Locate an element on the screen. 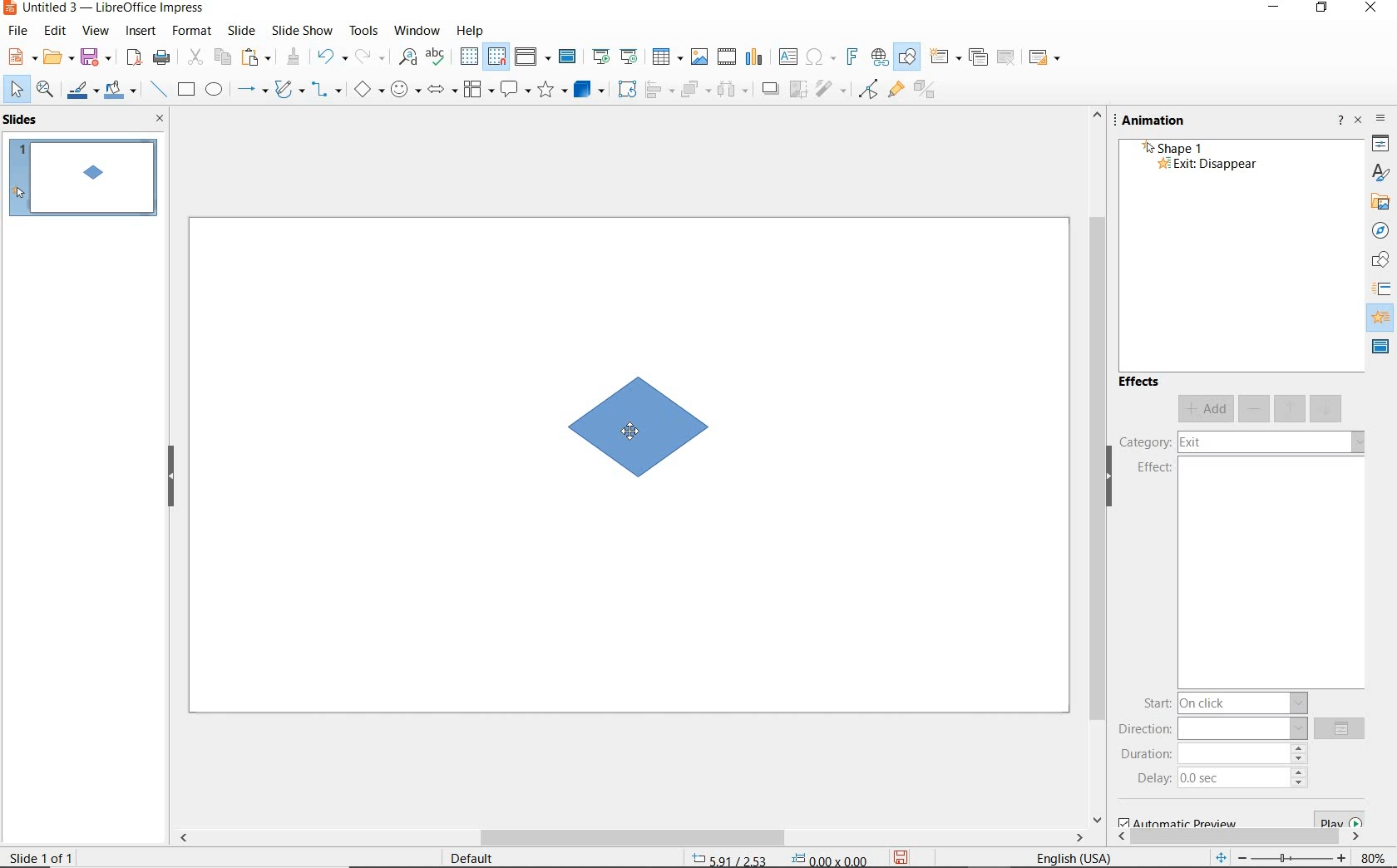 The height and width of the screenshot is (868, 1397). add is located at coordinates (1206, 409).